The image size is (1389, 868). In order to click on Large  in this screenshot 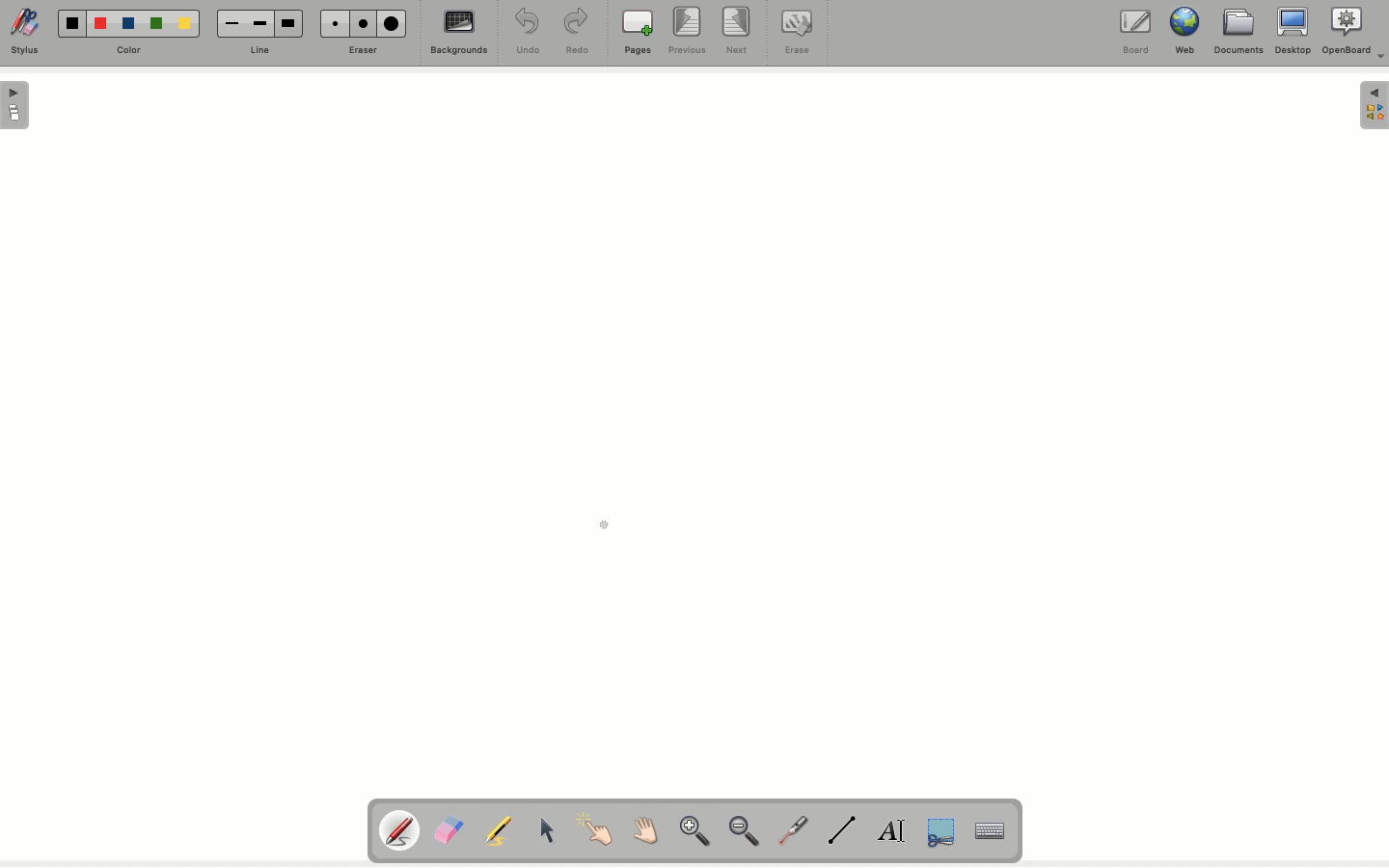, I will do `click(395, 23)`.